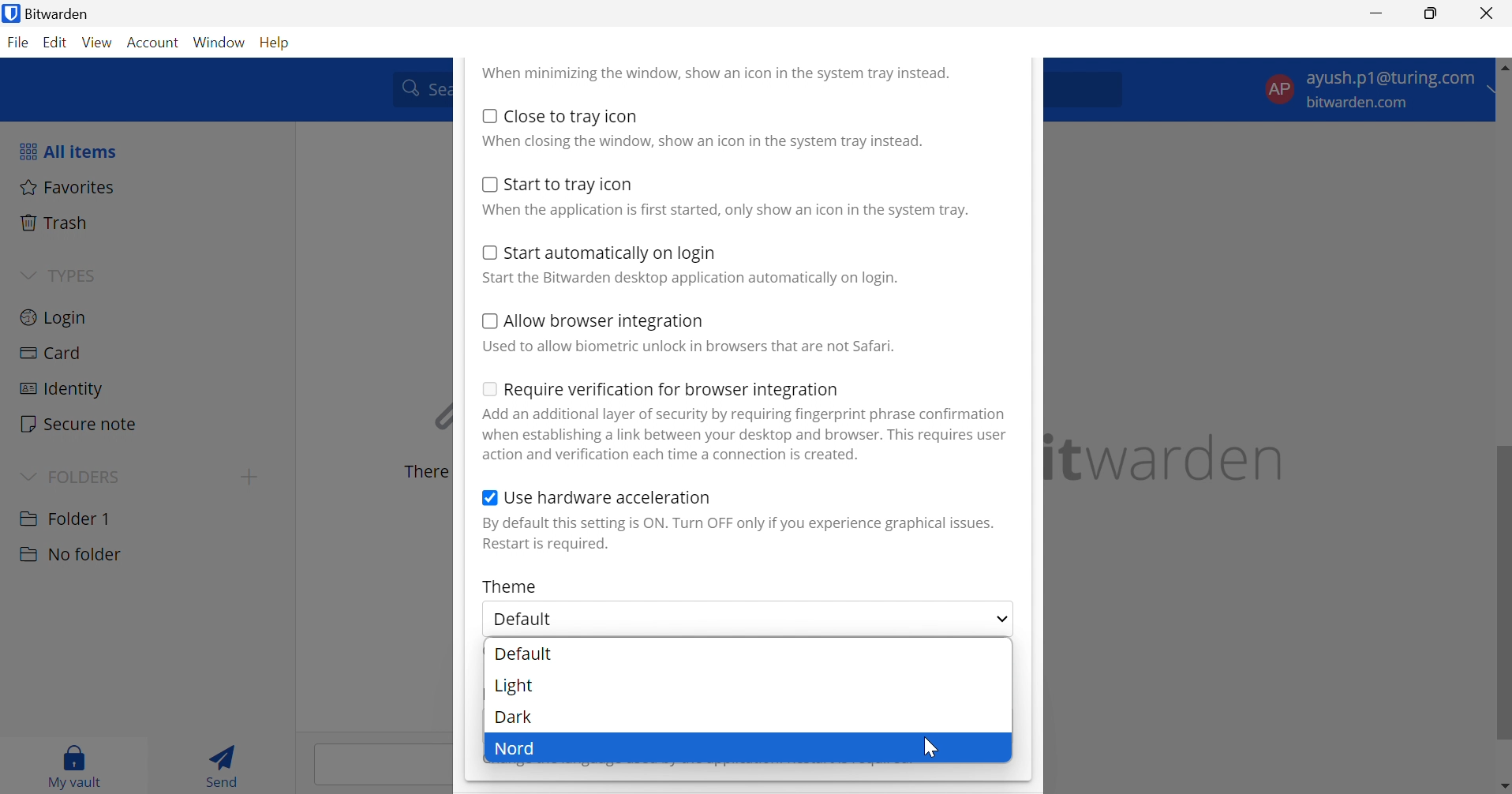  Describe the element at coordinates (68, 186) in the screenshot. I see `Favorites` at that location.